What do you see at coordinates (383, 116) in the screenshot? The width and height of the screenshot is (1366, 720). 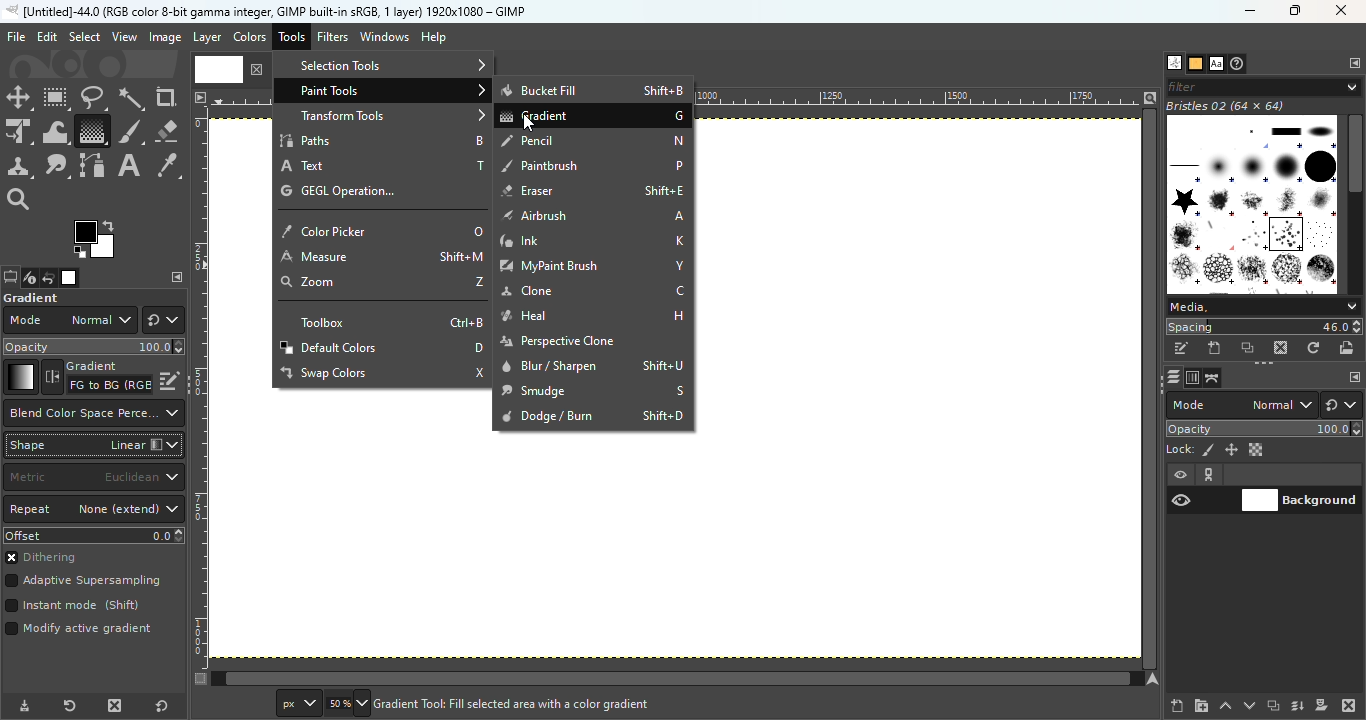 I see `Transform tools` at bounding box center [383, 116].